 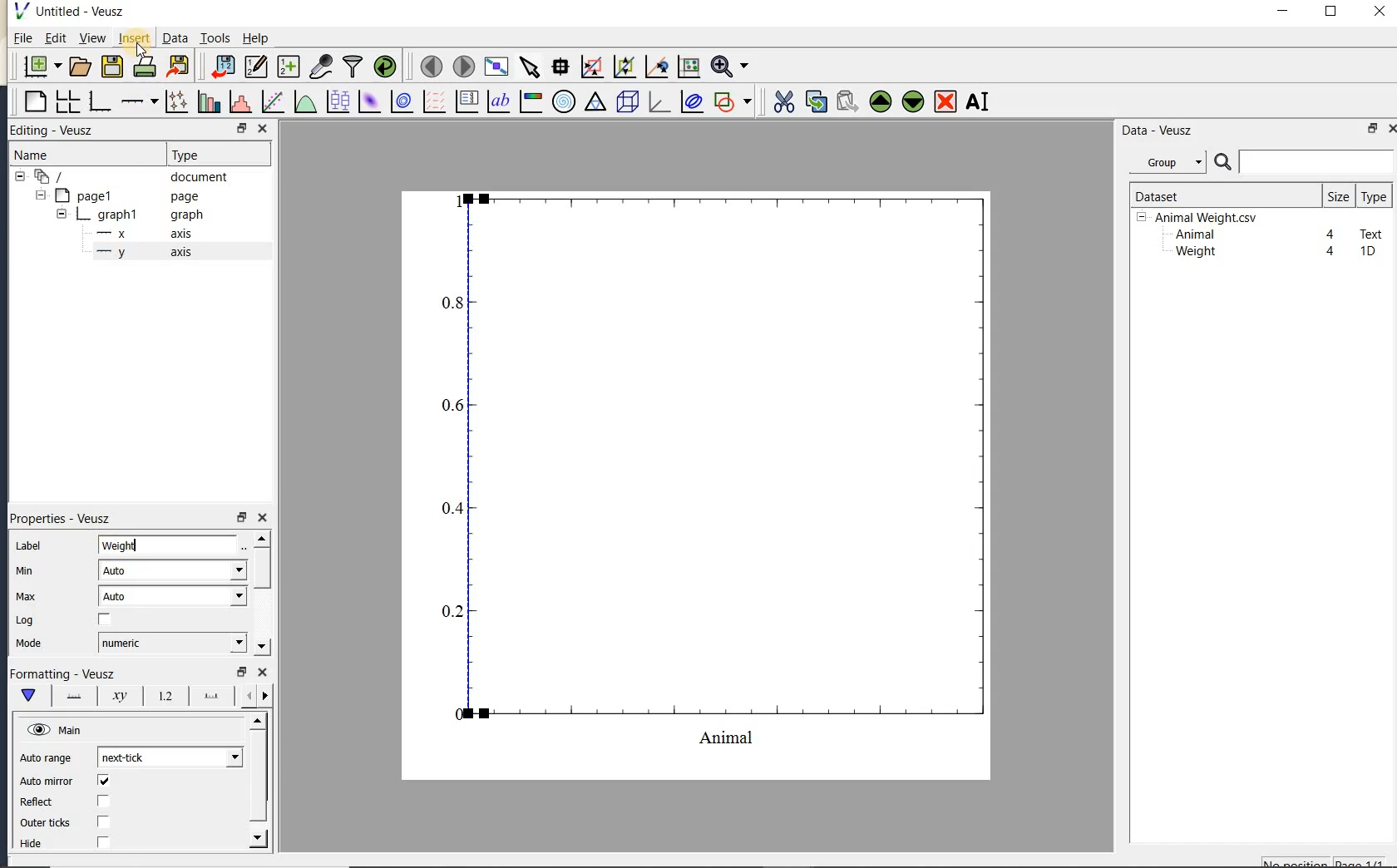 I want to click on Weight, so click(x=170, y=546).